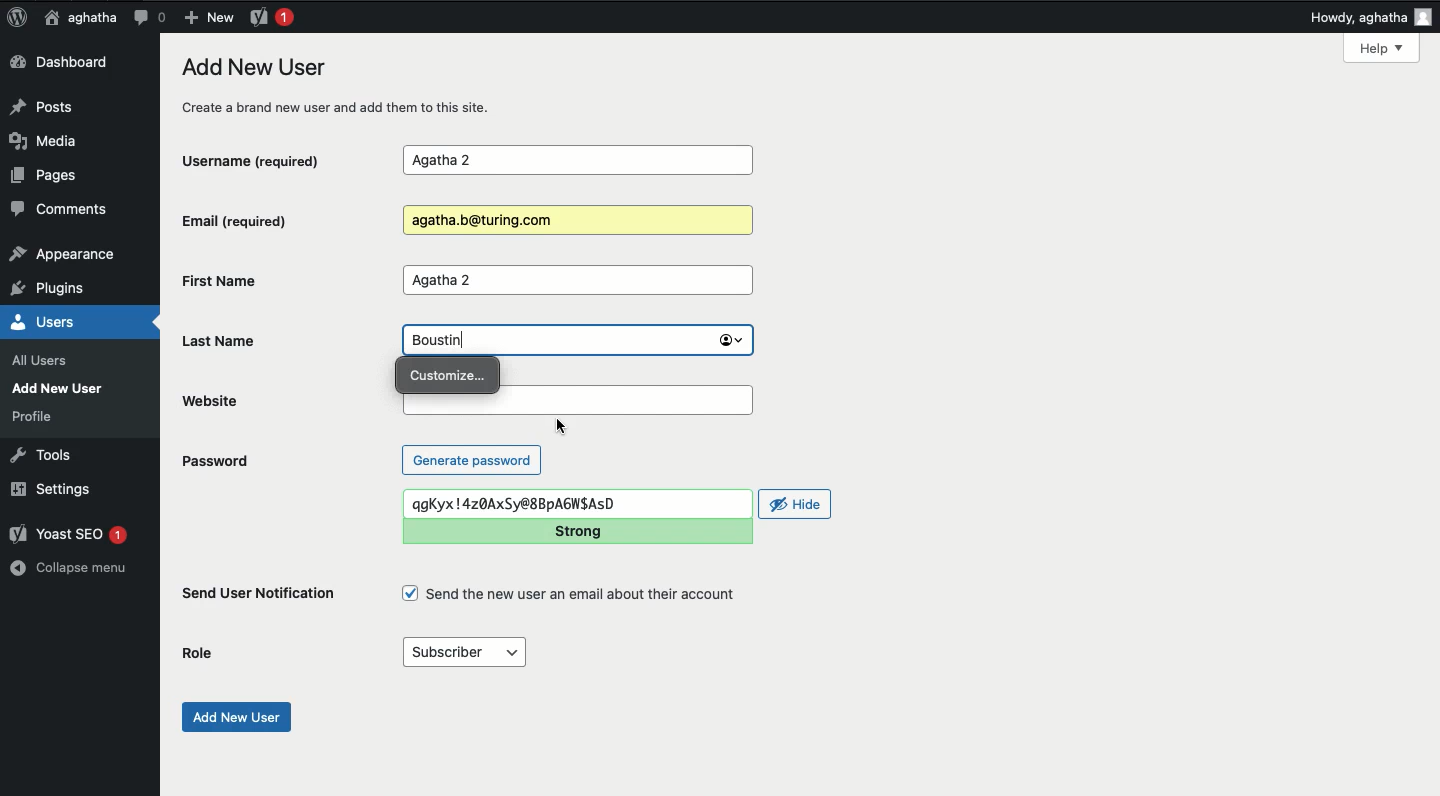 The height and width of the screenshot is (796, 1440). I want to click on Tools, so click(42, 453).